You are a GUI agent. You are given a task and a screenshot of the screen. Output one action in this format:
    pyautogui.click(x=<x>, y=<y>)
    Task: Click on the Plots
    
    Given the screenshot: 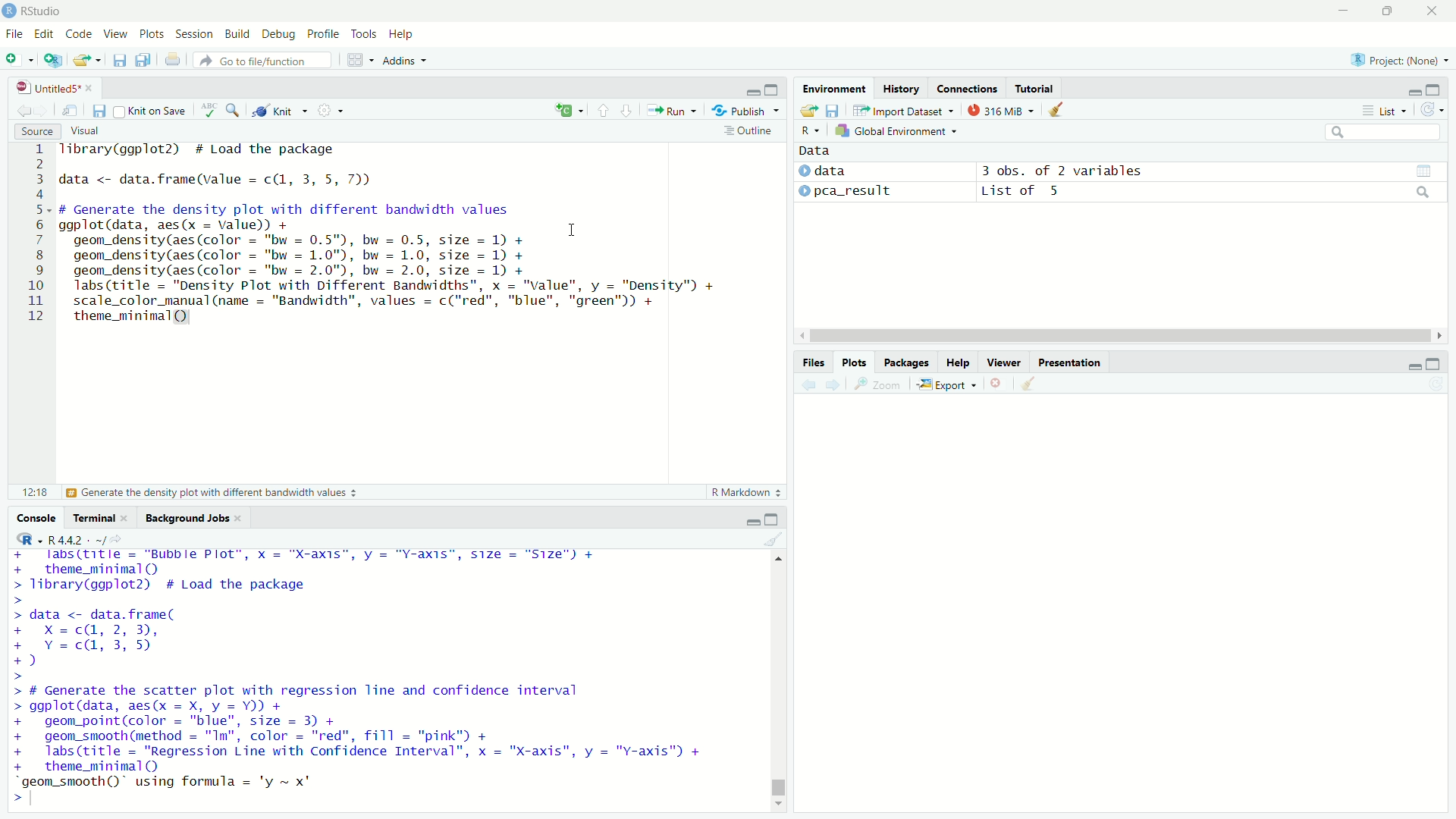 What is the action you would take?
    pyautogui.click(x=853, y=362)
    